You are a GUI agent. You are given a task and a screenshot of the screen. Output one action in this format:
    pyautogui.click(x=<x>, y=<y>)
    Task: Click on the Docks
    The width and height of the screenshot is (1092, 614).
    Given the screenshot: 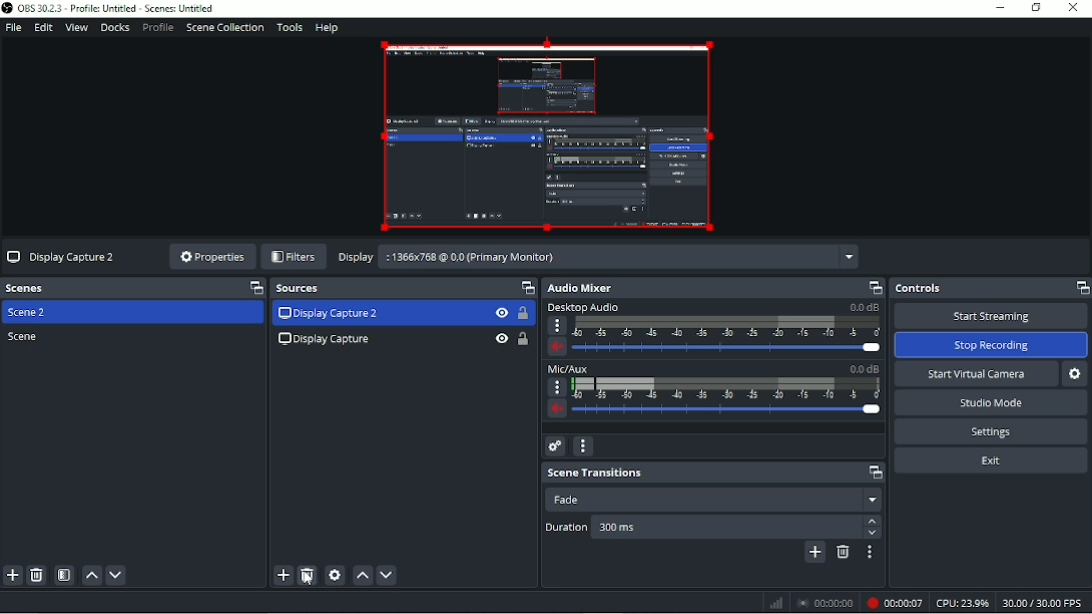 What is the action you would take?
    pyautogui.click(x=116, y=28)
    